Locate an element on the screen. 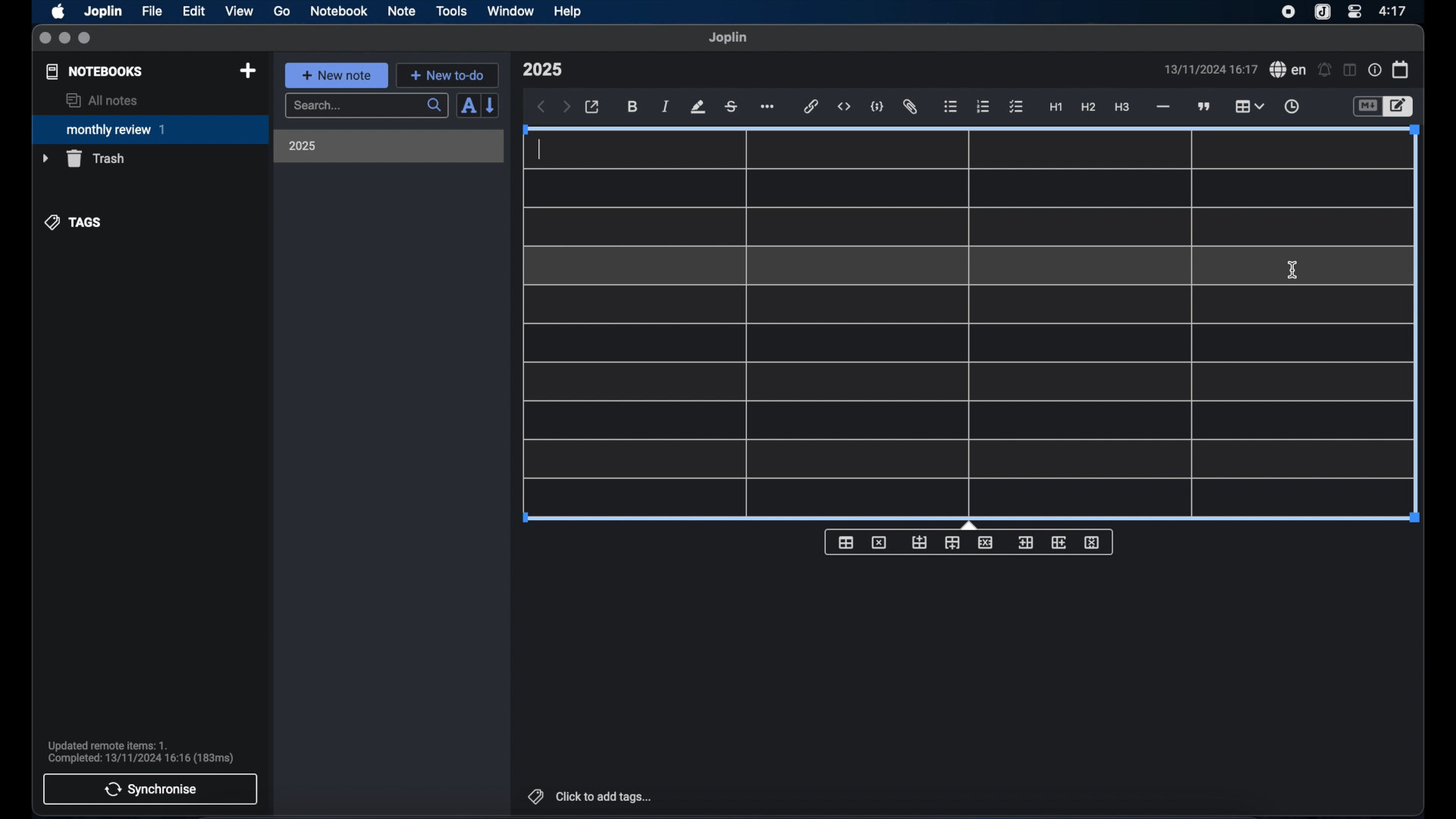 The width and height of the screenshot is (1456, 819). note properties is located at coordinates (1375, 71).